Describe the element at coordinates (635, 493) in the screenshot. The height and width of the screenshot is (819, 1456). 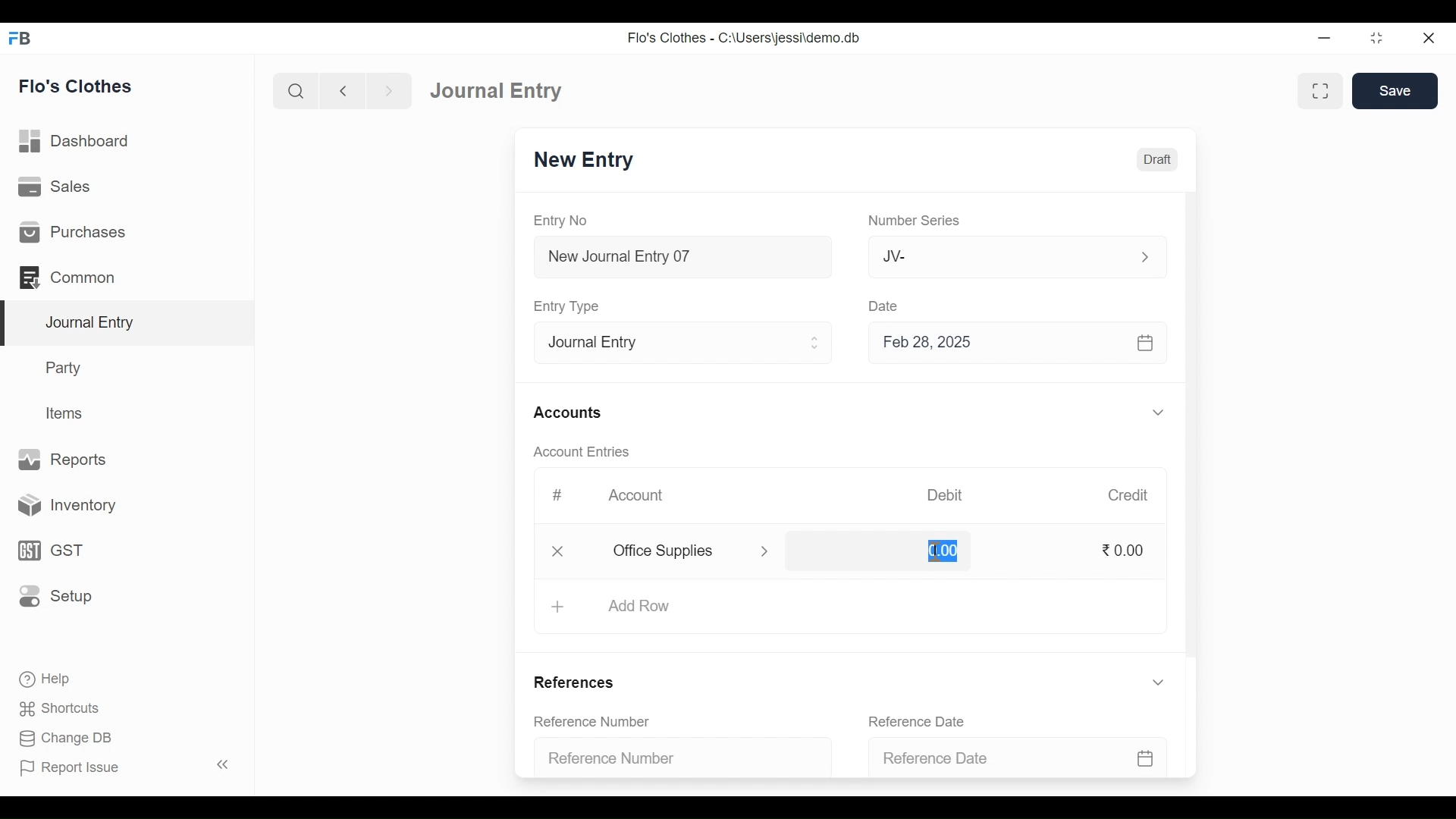
I see `Account` at that location.